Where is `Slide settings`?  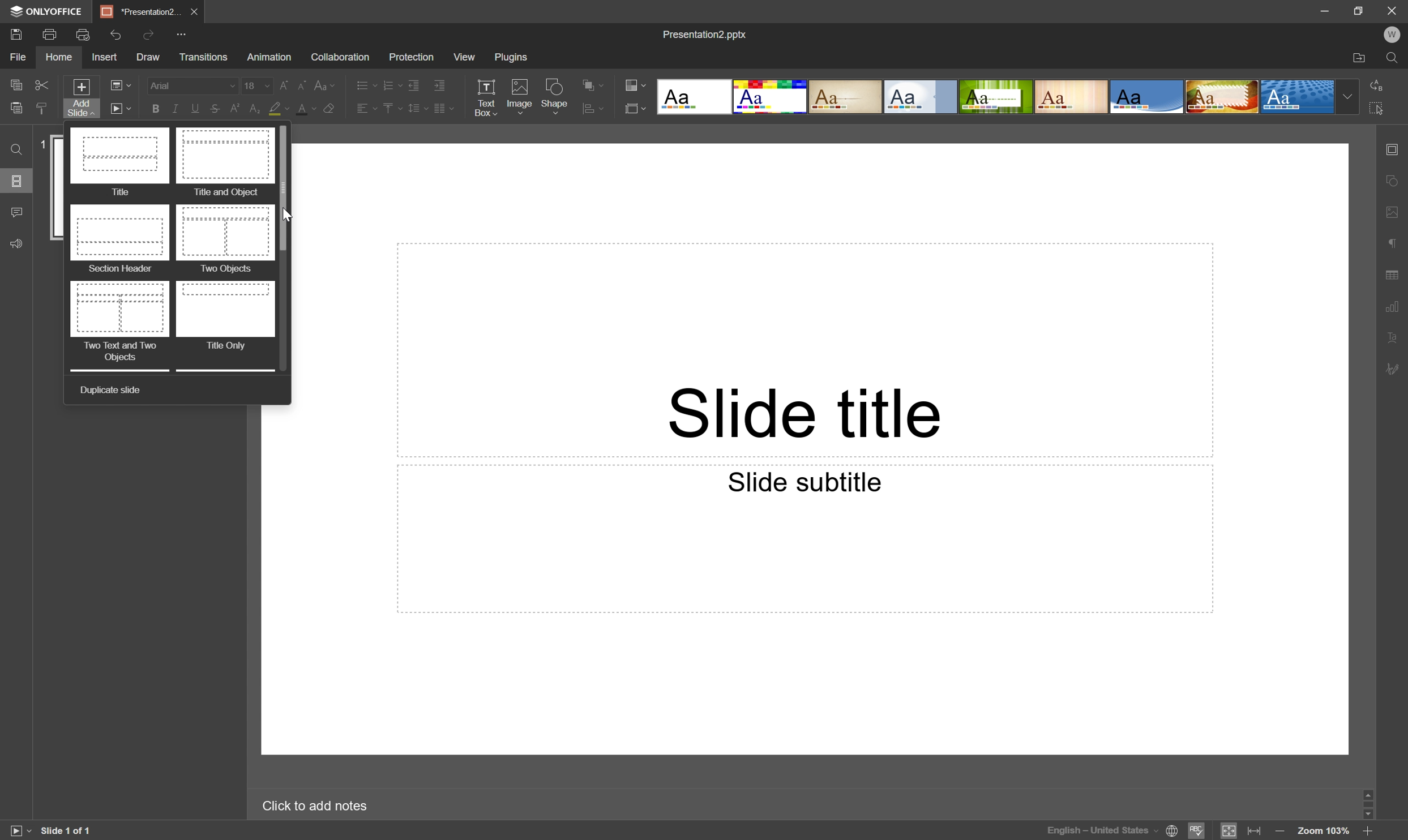 Slide settings is located at coordinates (1396, 147).